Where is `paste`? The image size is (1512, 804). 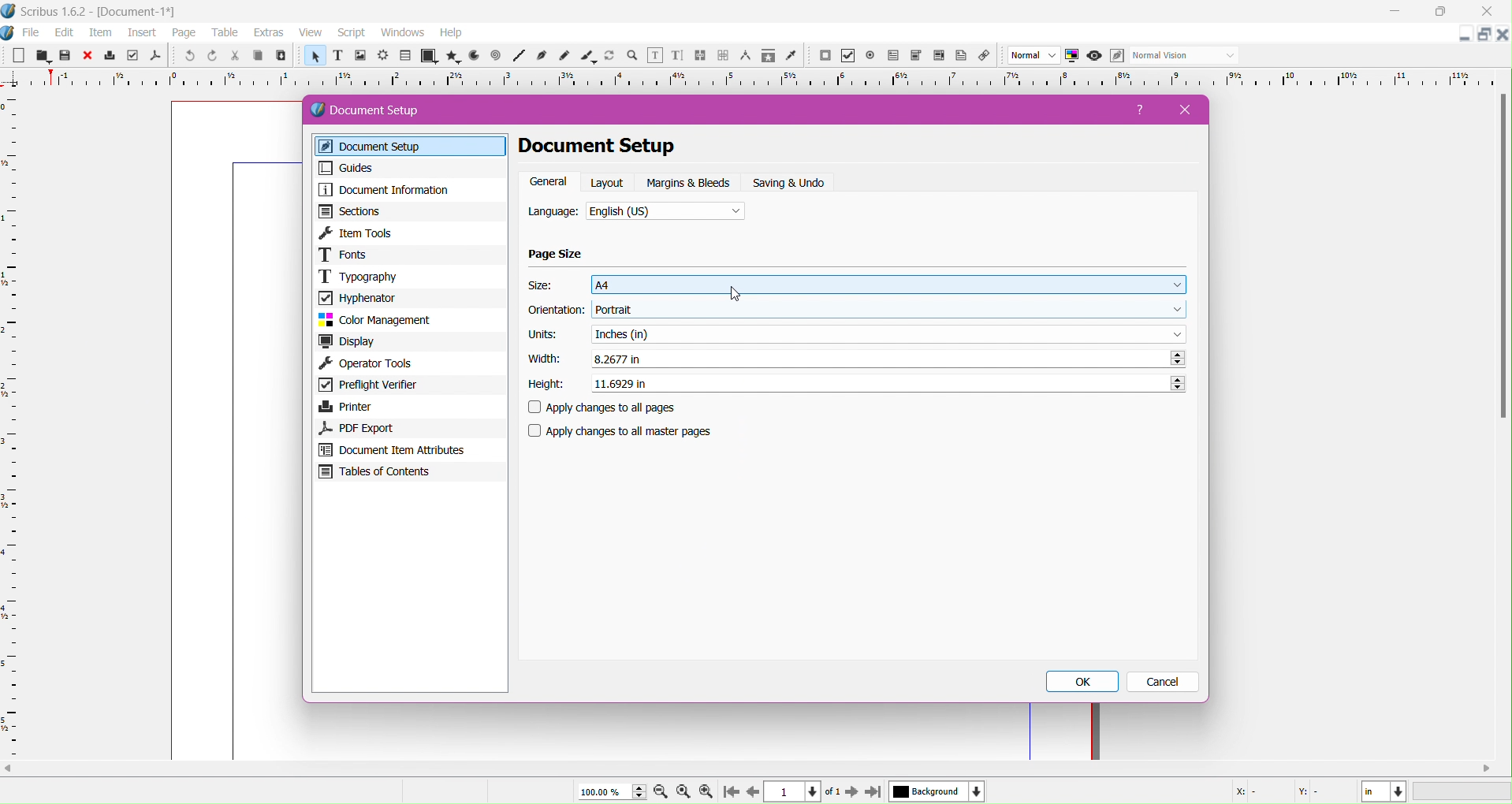
paste is located at coordinates (280, 56).